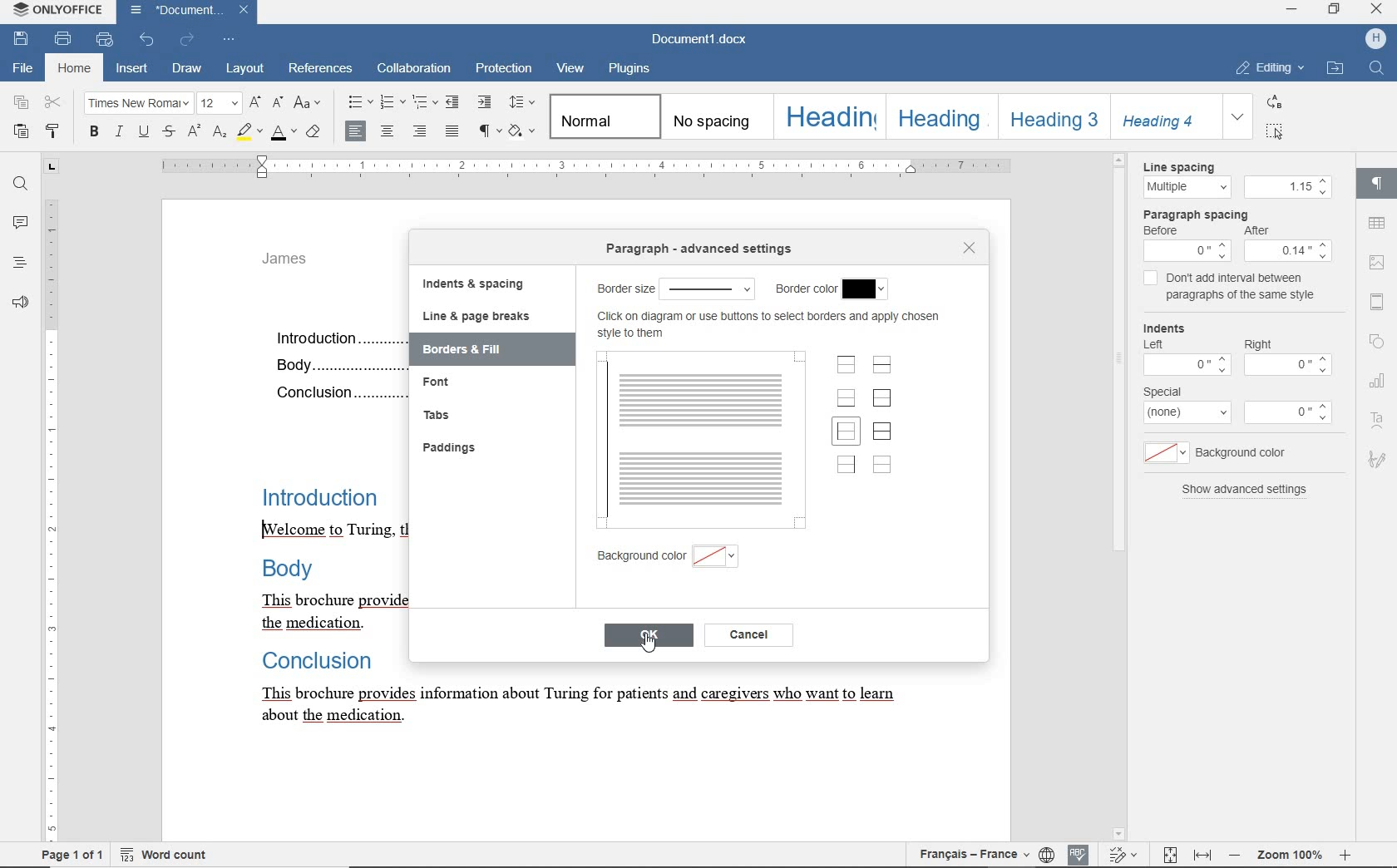 Image resolution: width=1397 pixels, height=868 pixels. I want to click on line & page, so click(476, 316).